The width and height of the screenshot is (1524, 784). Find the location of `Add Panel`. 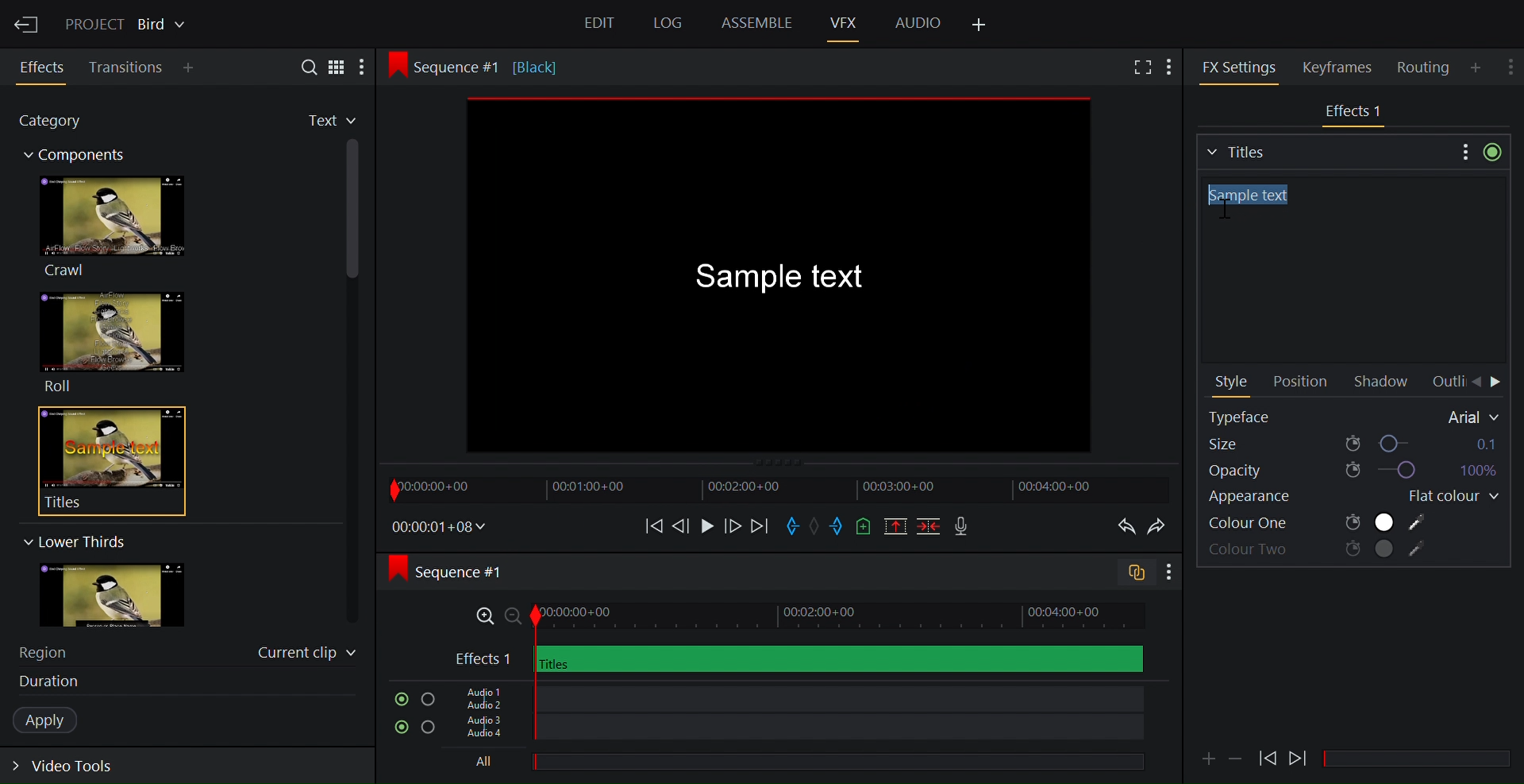

Add Panel is located at coordinates (980, 25).